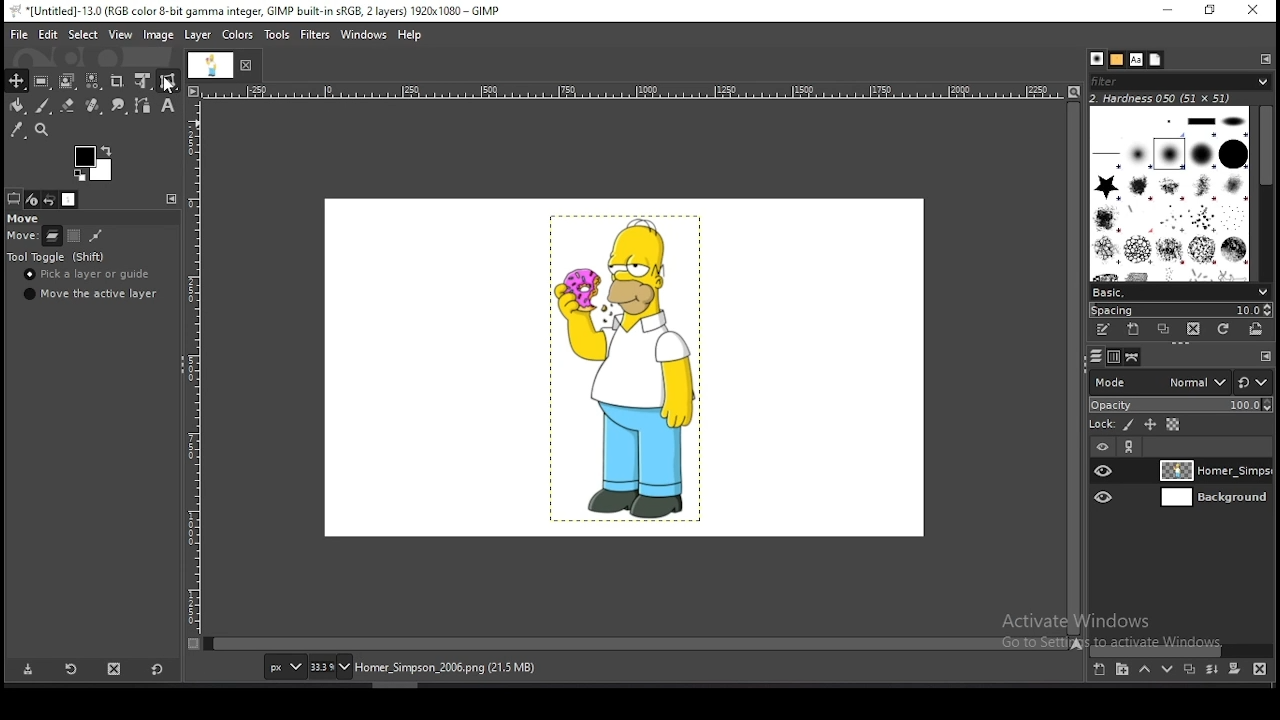  Describe the element at coordinates (1181, 290) in the screenshot. I see `brush presets` at that location.